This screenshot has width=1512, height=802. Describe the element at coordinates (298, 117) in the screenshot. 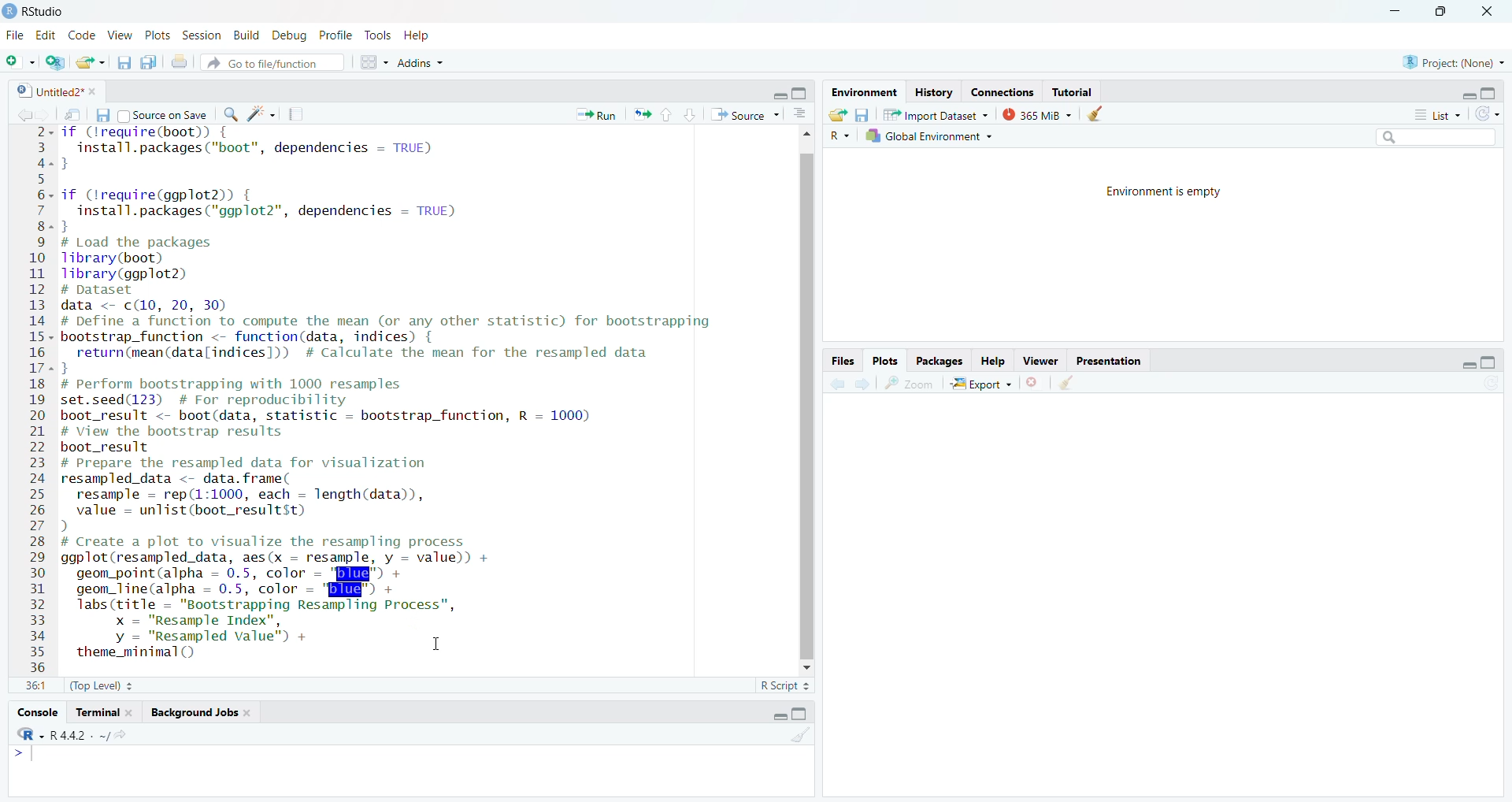

I see `compile reports` at that location.